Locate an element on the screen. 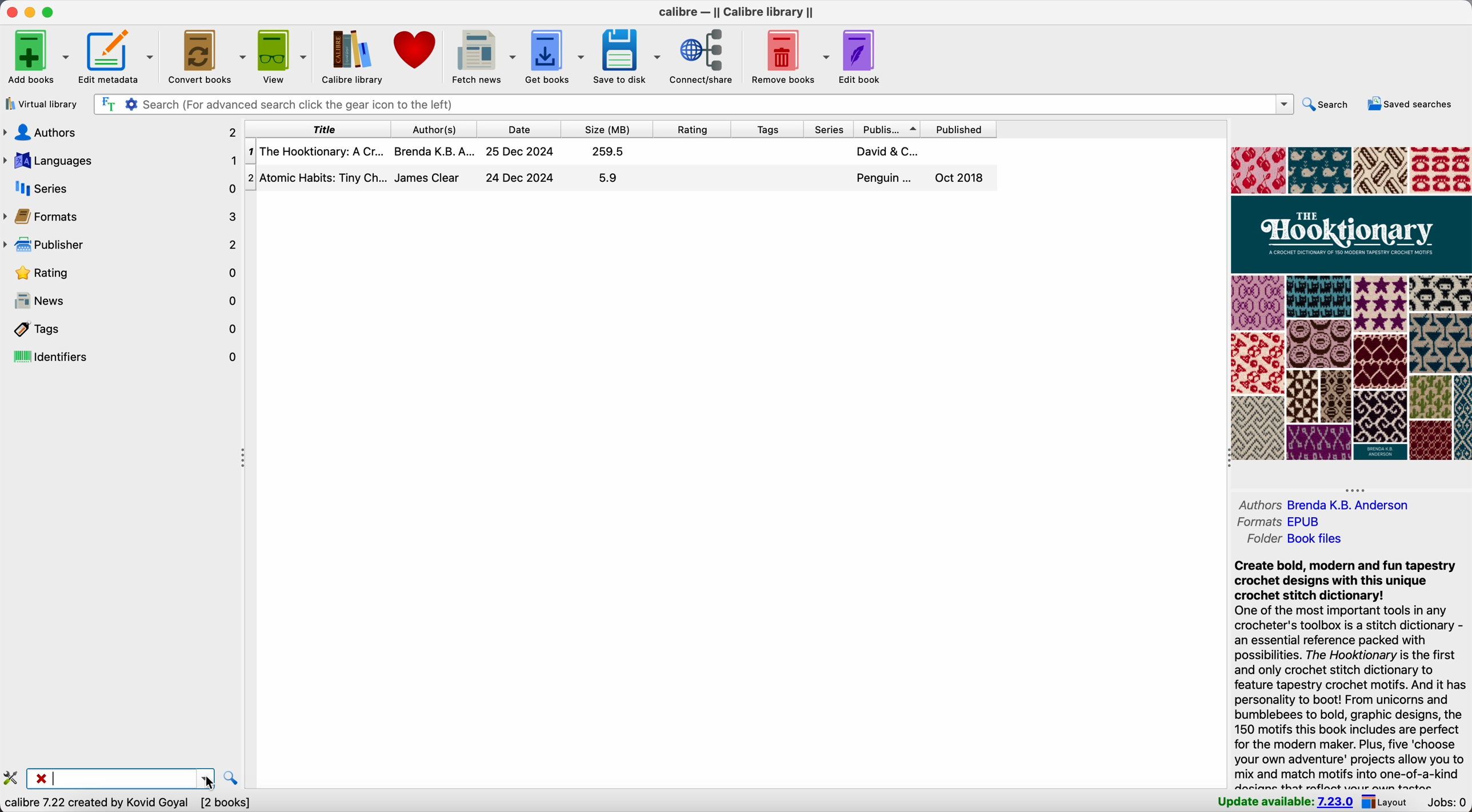 The height and width of the screenshot is (812, 1472). published is located at coordinates (962, 129).